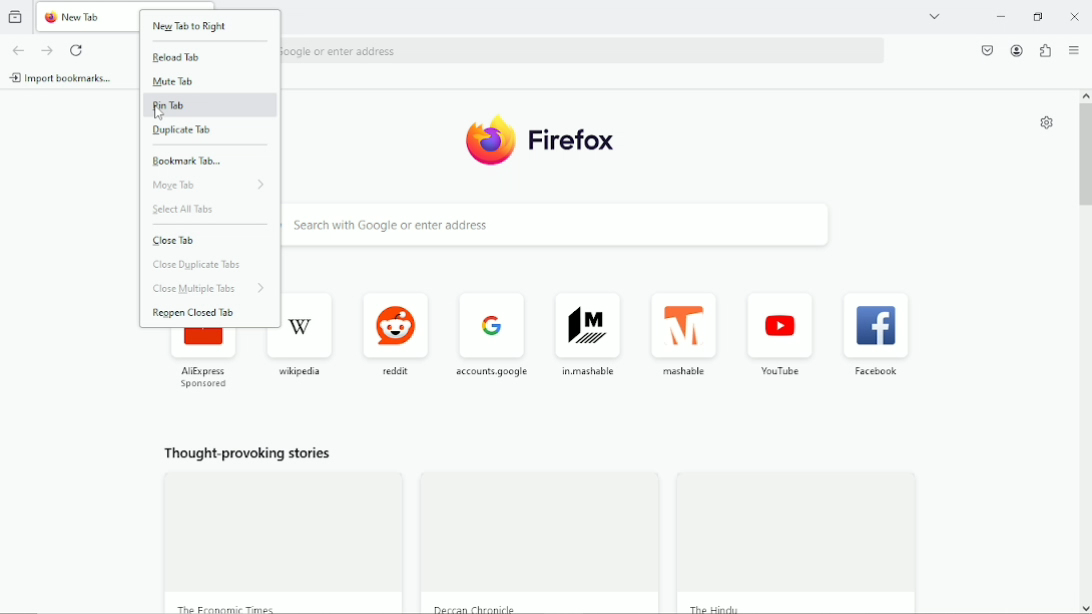  Describe the element at coordinates (89, 18) in the screenshot. I see `Current tab` at that location.